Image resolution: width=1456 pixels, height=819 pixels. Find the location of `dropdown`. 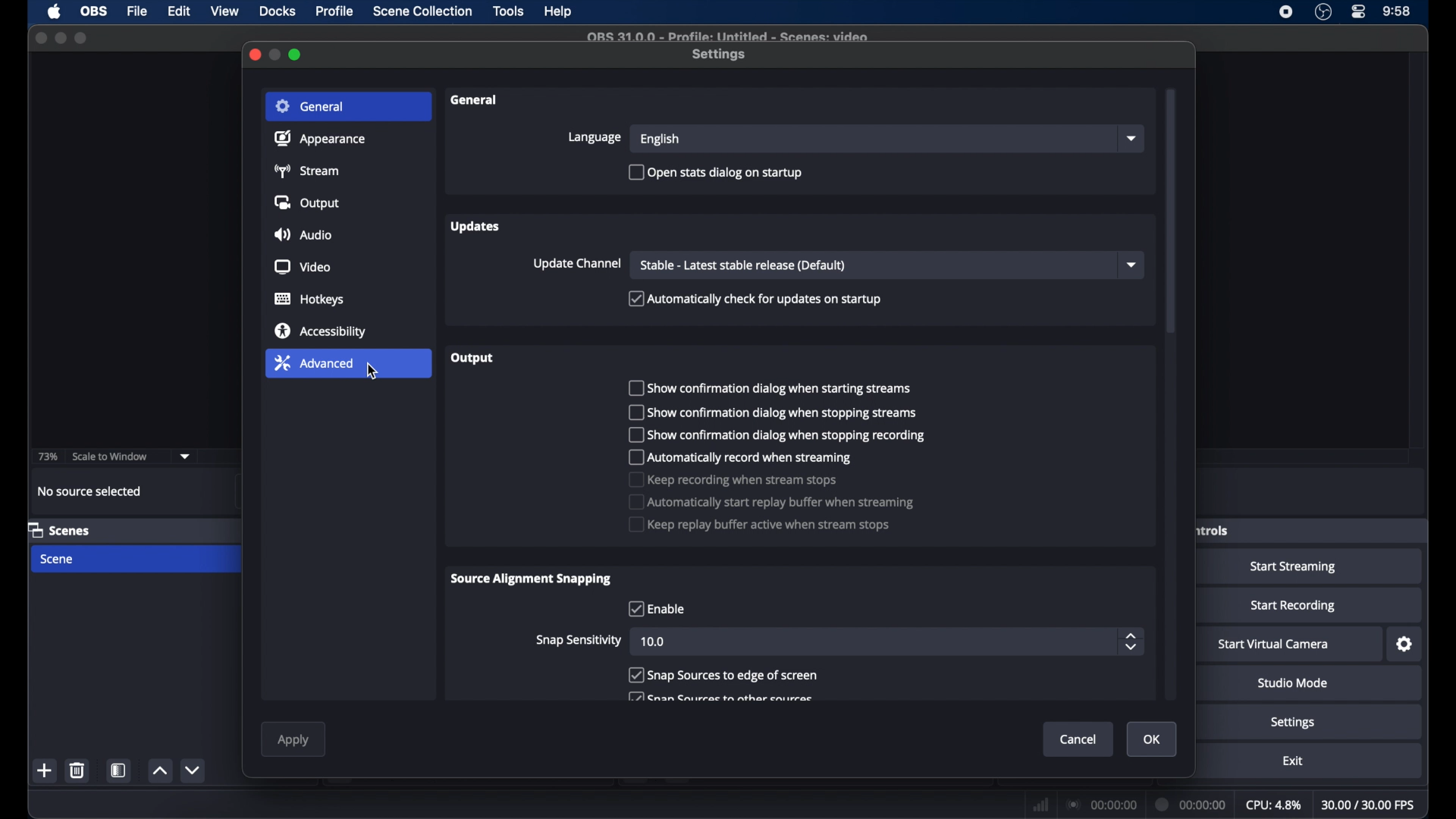

dropdown is located at coordinates (1131, 264).